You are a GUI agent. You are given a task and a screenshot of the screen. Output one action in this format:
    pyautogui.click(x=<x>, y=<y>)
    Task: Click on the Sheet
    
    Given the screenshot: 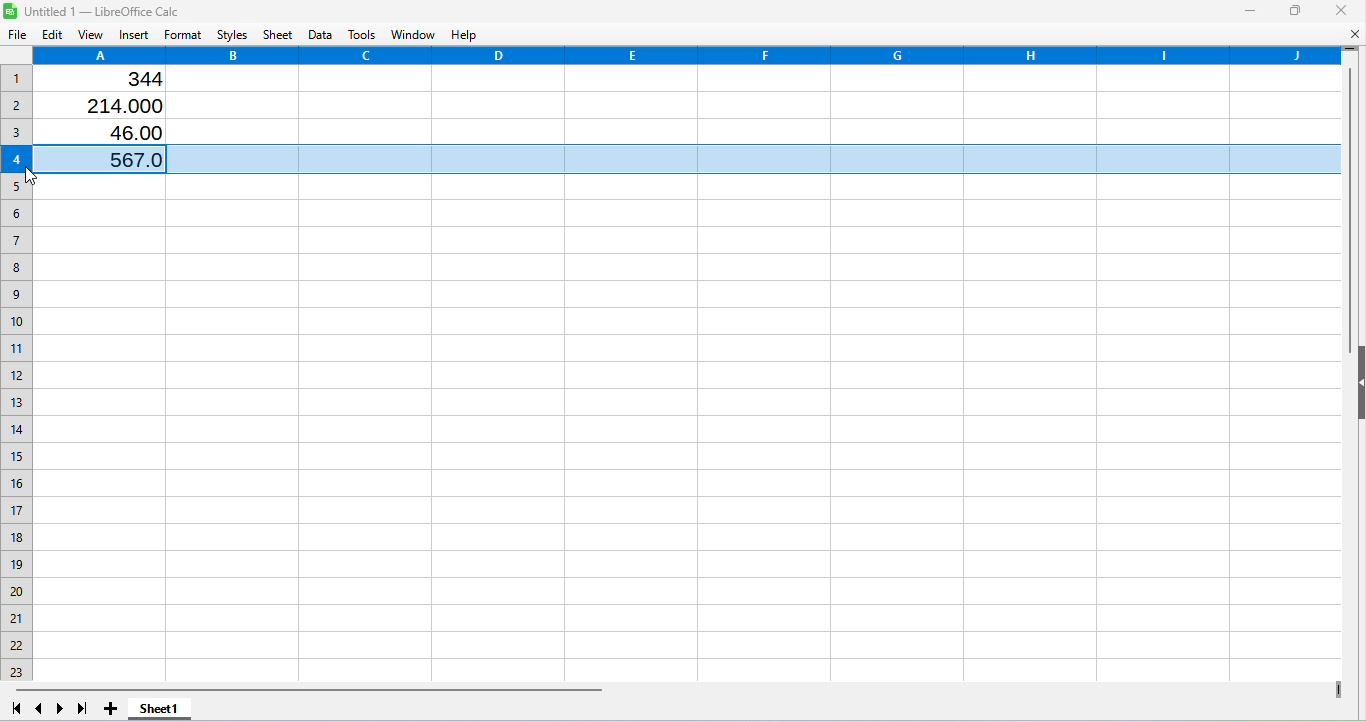 What is the action you would take?
    pyautogui.click(x=280, y=34)
    